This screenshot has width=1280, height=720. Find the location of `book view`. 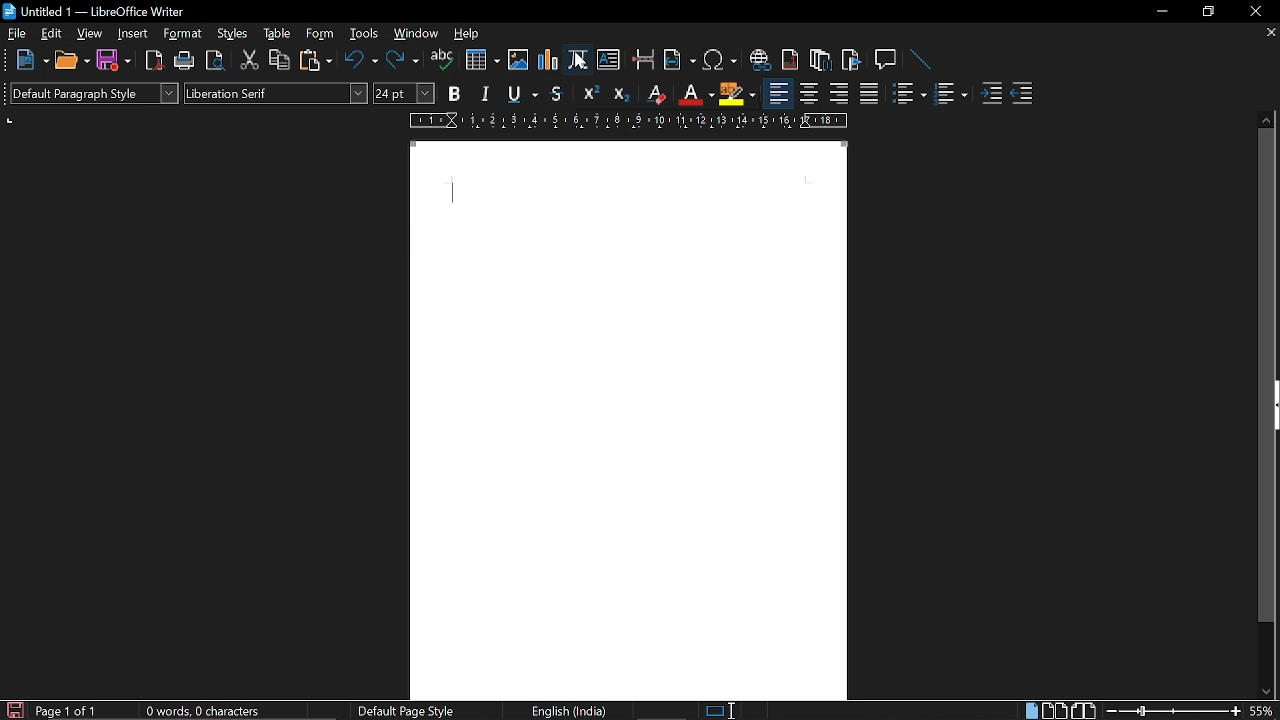

book view is located at coordinates (1084, 710).